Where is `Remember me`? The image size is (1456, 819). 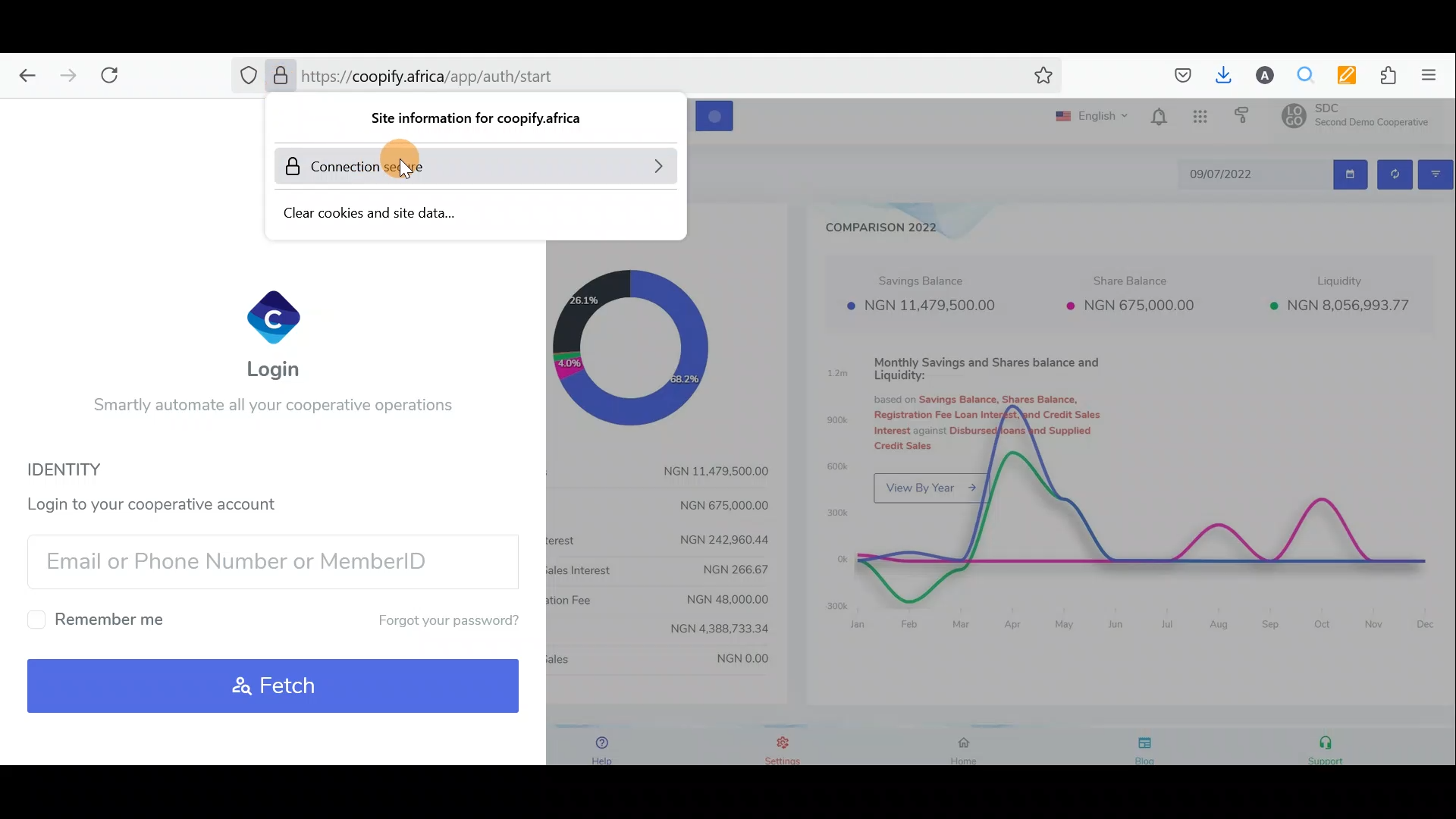
Remember me is located at coordinates (102, 619).